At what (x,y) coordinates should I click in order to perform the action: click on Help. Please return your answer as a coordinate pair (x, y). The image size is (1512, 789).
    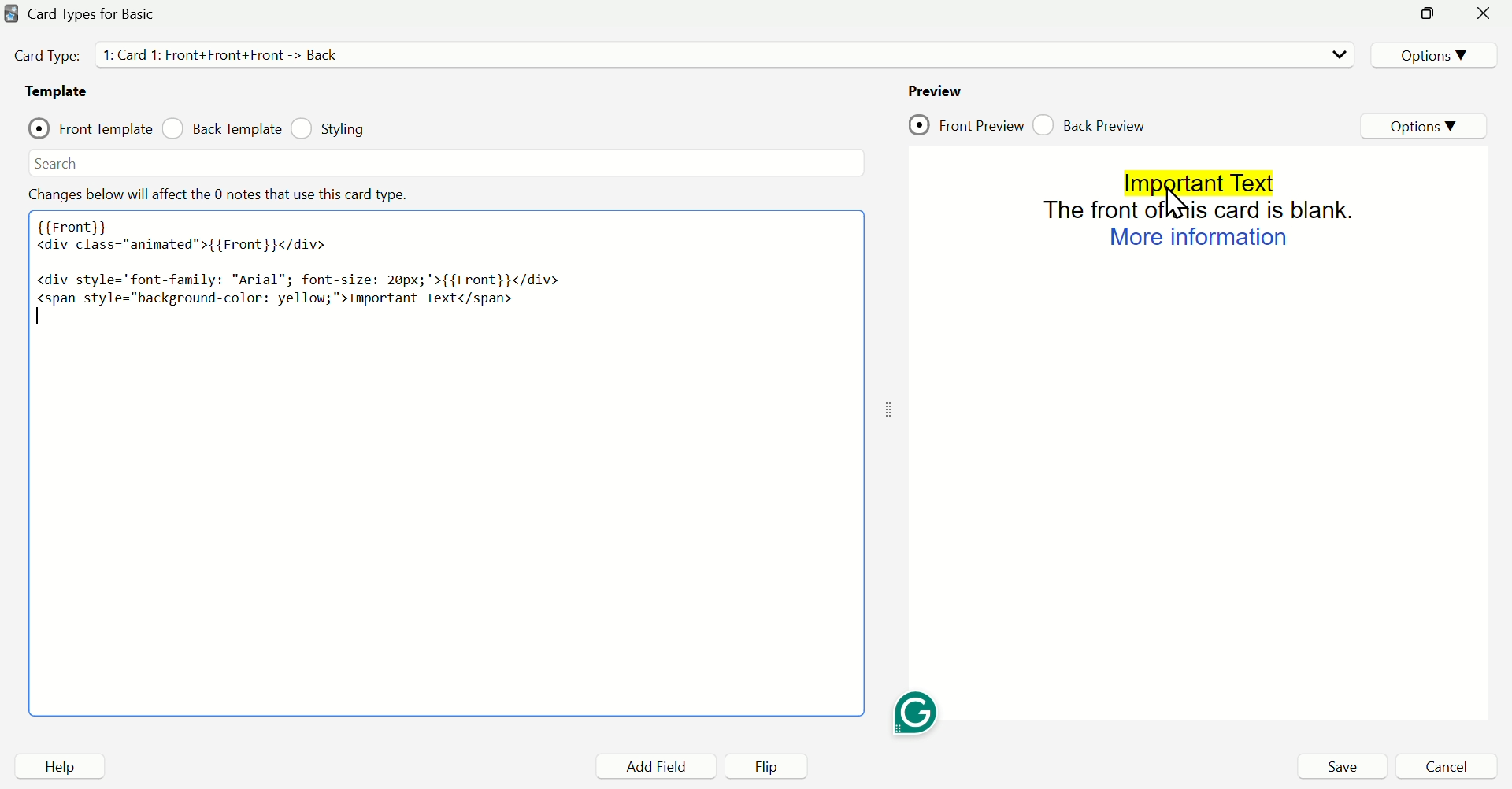
    Looking at the image, I should click on (59, 765).